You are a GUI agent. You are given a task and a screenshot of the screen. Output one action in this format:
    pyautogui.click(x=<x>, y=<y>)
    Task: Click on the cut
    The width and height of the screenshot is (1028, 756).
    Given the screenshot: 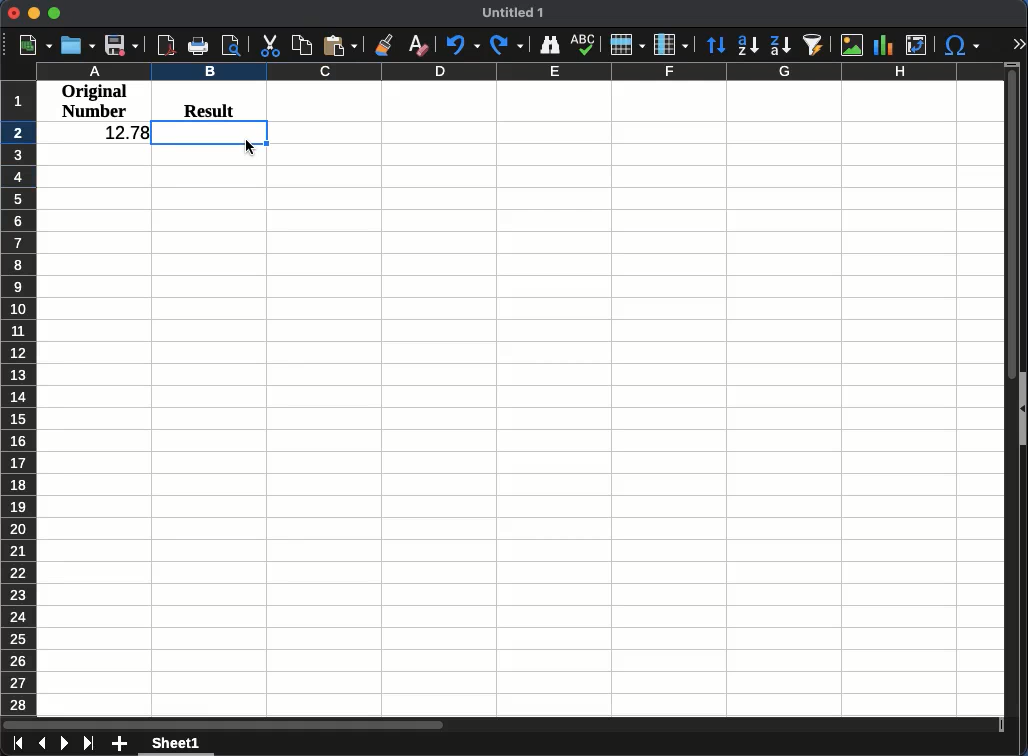 What is the action you would take?
    pyautogui.click(x=271, y=46)
    